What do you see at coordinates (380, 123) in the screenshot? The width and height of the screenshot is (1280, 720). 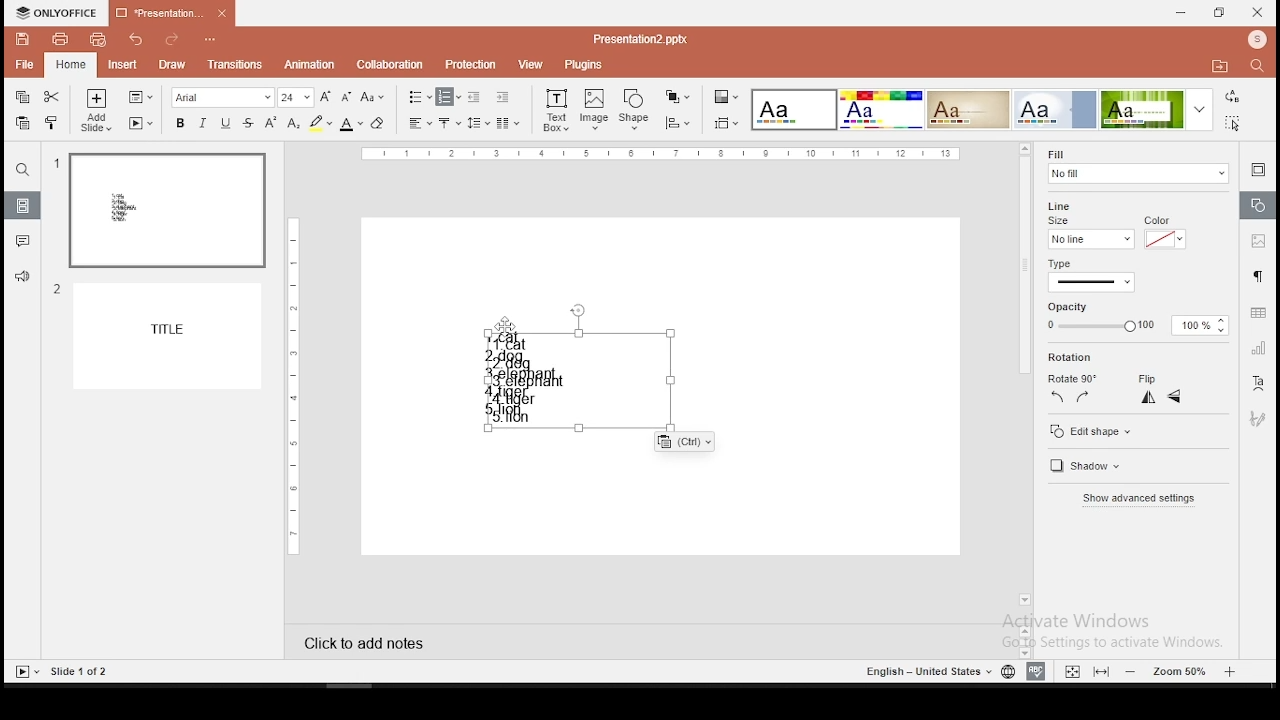 I see `eraser tool` at bounding box center [380, 123].